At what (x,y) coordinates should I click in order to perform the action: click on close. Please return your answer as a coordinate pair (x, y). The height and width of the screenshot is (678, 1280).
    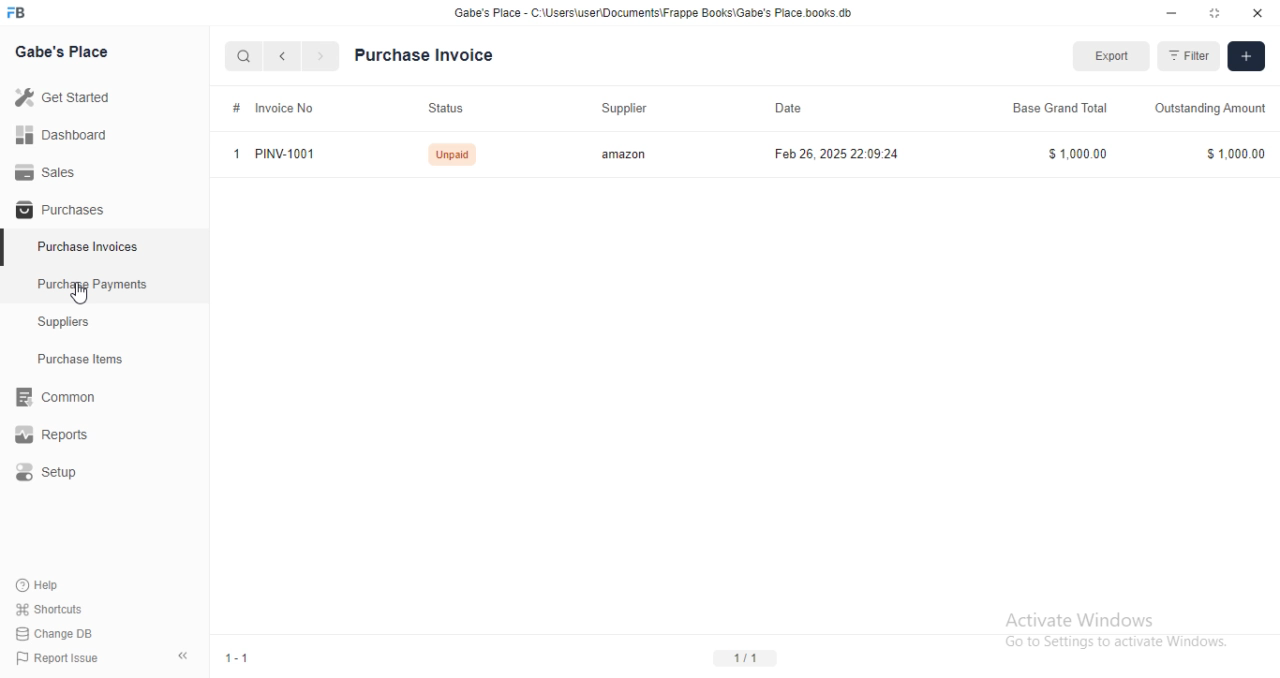
    Looking at the image, I should click on (1258, 13).